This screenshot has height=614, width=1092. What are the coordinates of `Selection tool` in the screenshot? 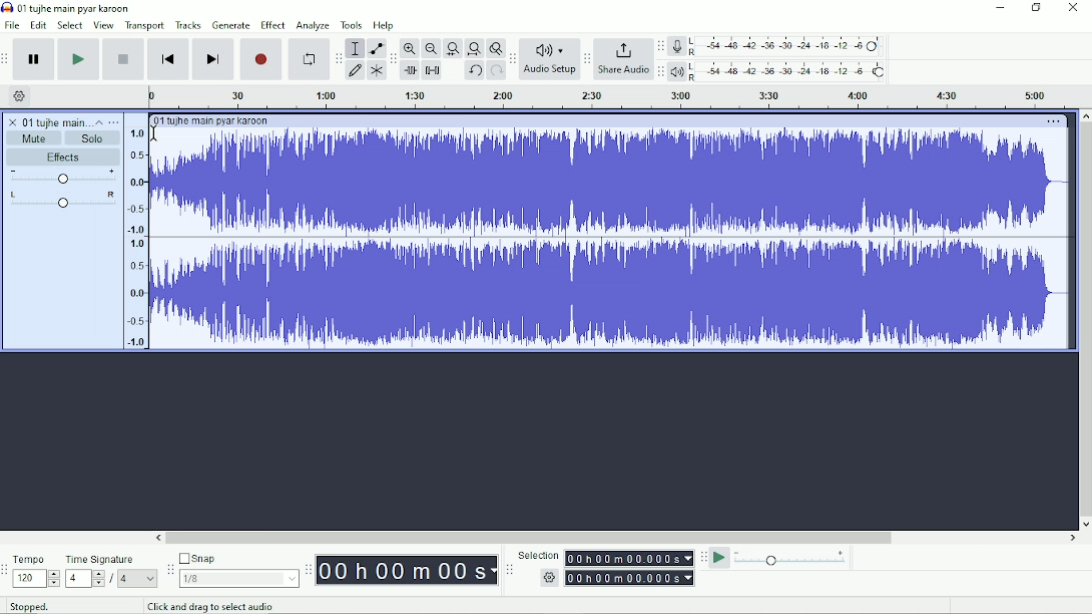 It's located at (355, 48).